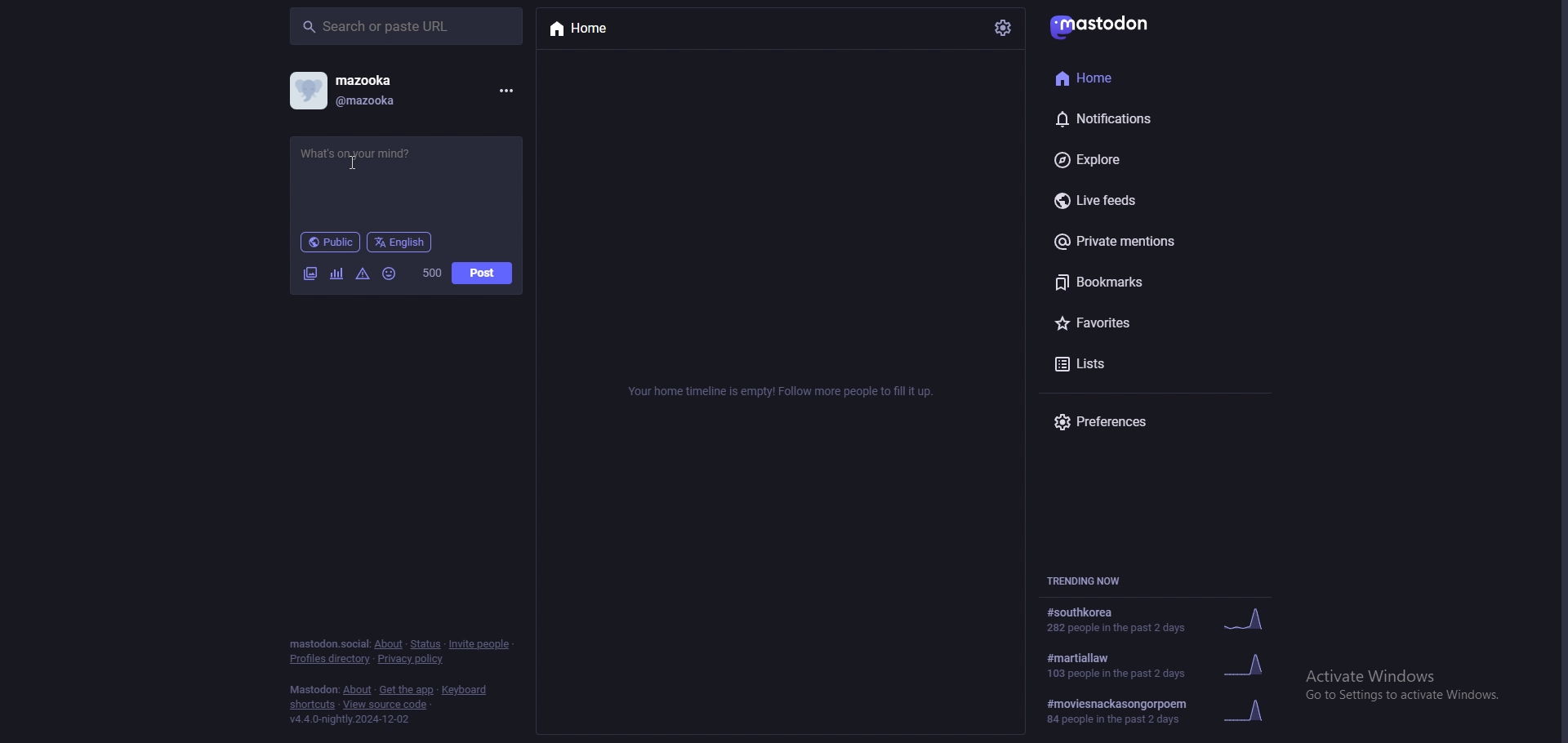 This screenshot has height=743, width=1568. What do you see at coordinates (1158, 665) in the screenshot?
I see `trending` at bounding box center [1158, 665].